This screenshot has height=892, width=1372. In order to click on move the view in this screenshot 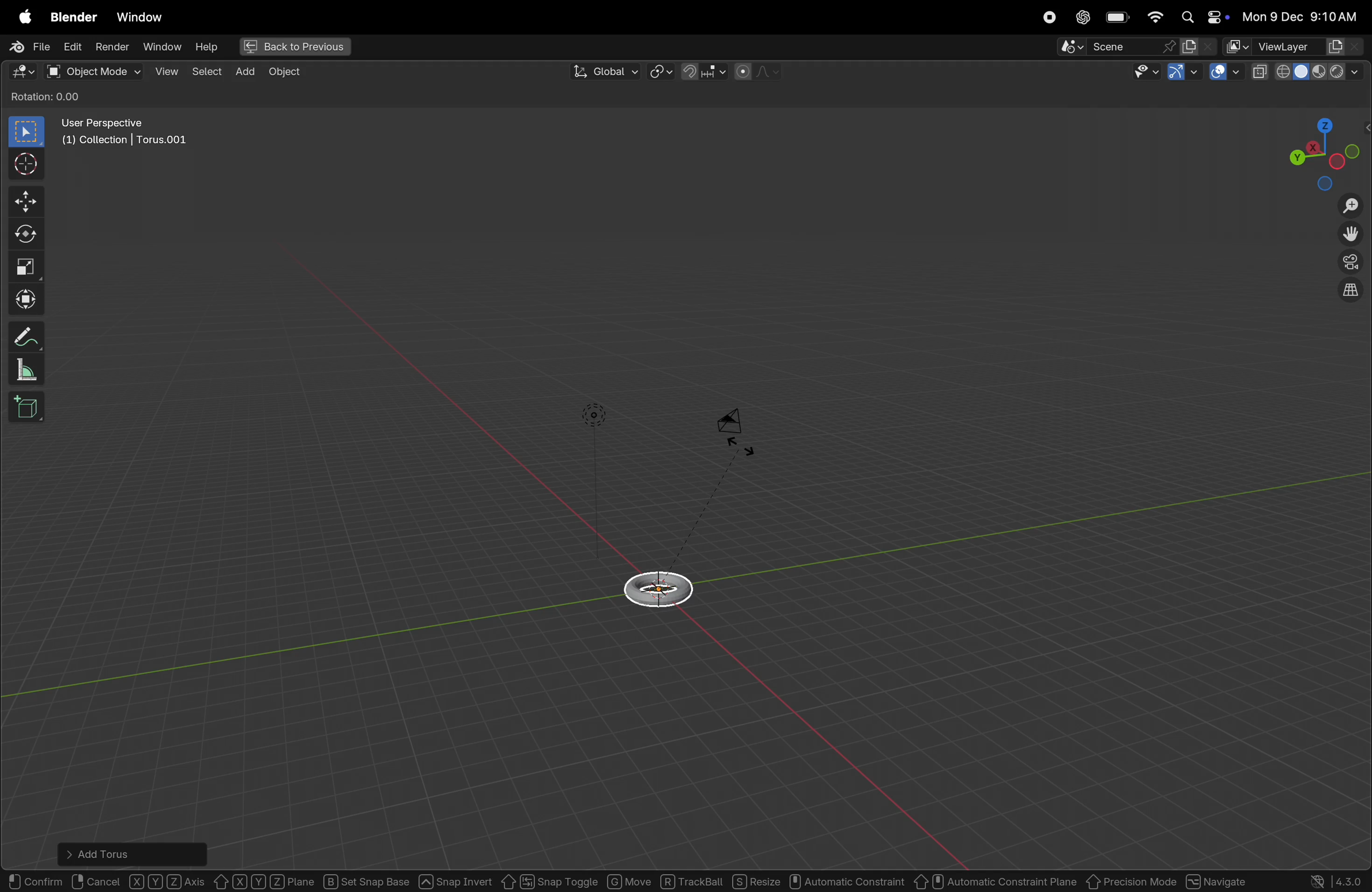, I will do `click(1348, 235)`.